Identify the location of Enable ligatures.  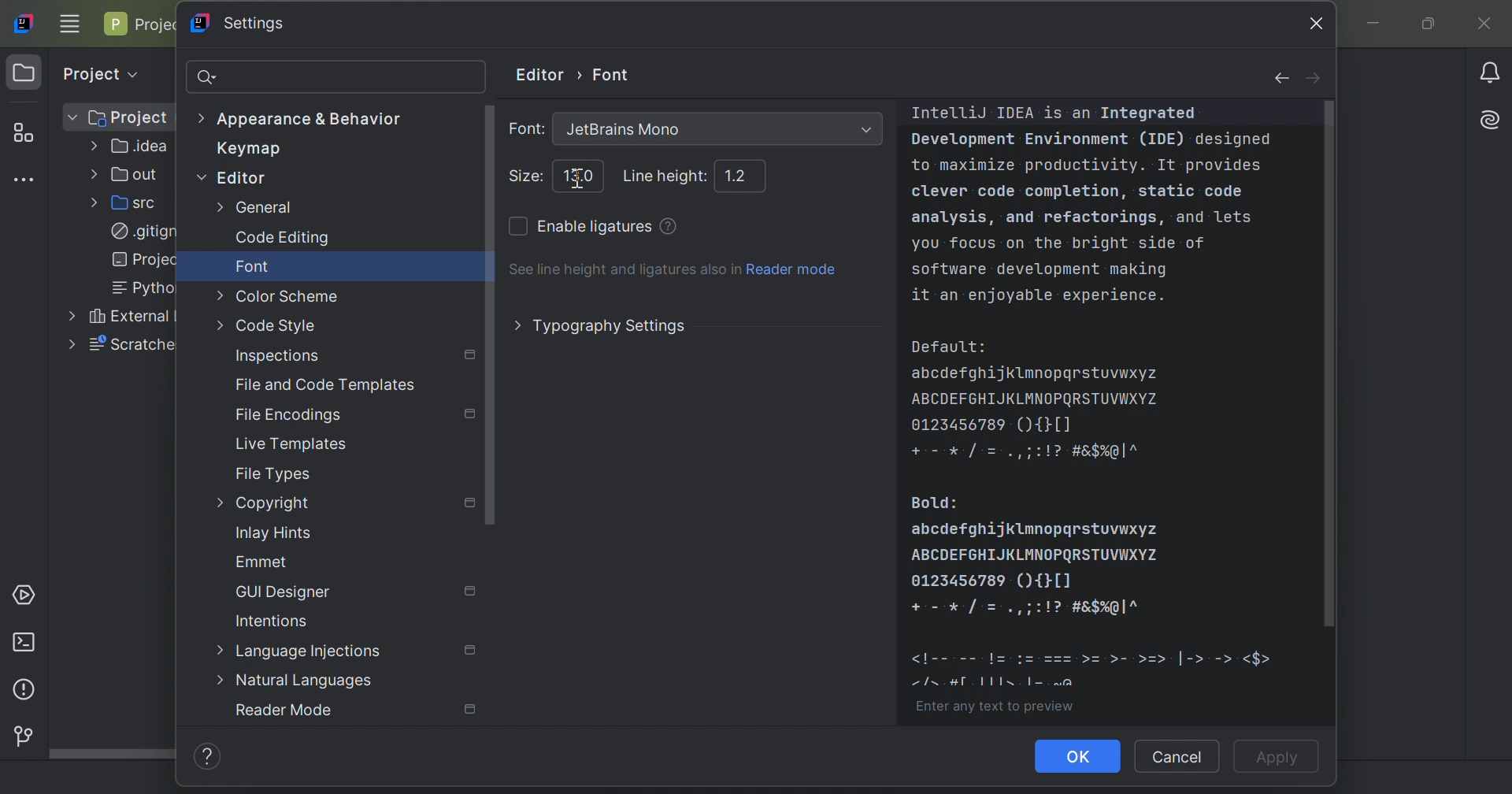
(596, 227).